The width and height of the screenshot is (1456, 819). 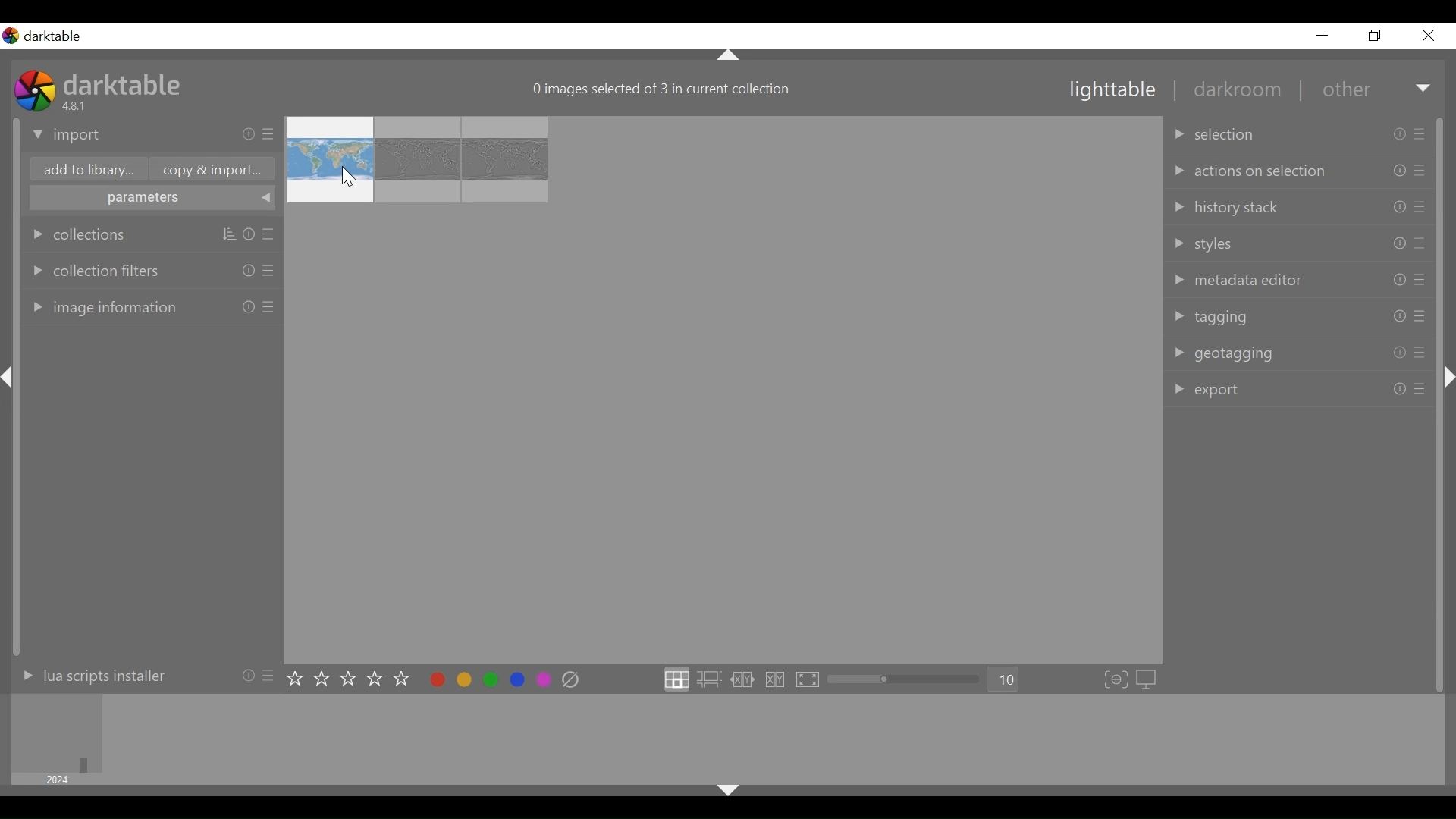 What do you see at coordinates (1431, 36) in the screenshot?
I see `close` at bounding box center [1431, 36].